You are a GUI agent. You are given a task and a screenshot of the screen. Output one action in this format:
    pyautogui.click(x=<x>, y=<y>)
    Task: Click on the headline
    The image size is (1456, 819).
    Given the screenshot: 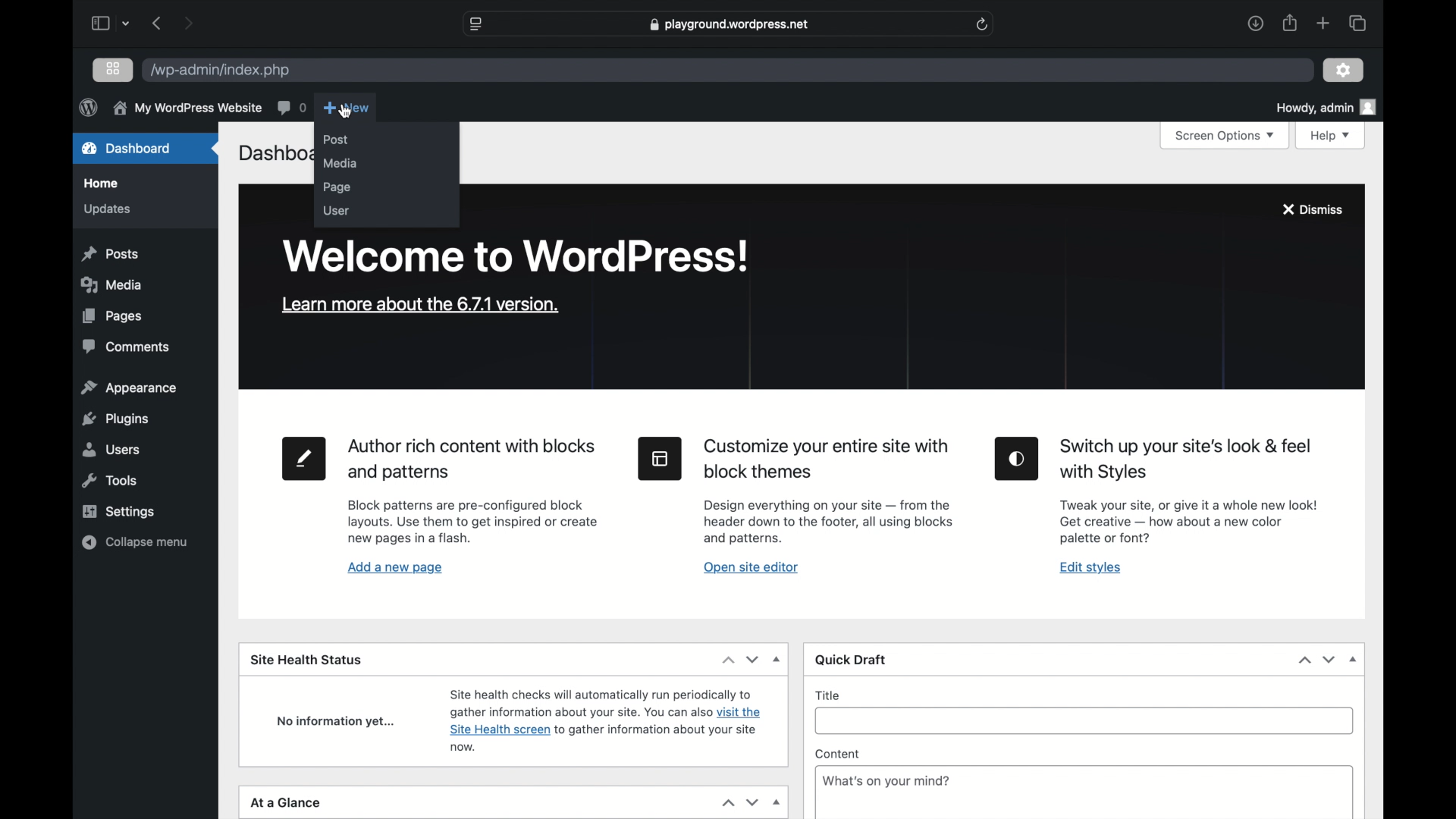 What is the action you would take?
    pyautogui.click(x=475, y=460)
    